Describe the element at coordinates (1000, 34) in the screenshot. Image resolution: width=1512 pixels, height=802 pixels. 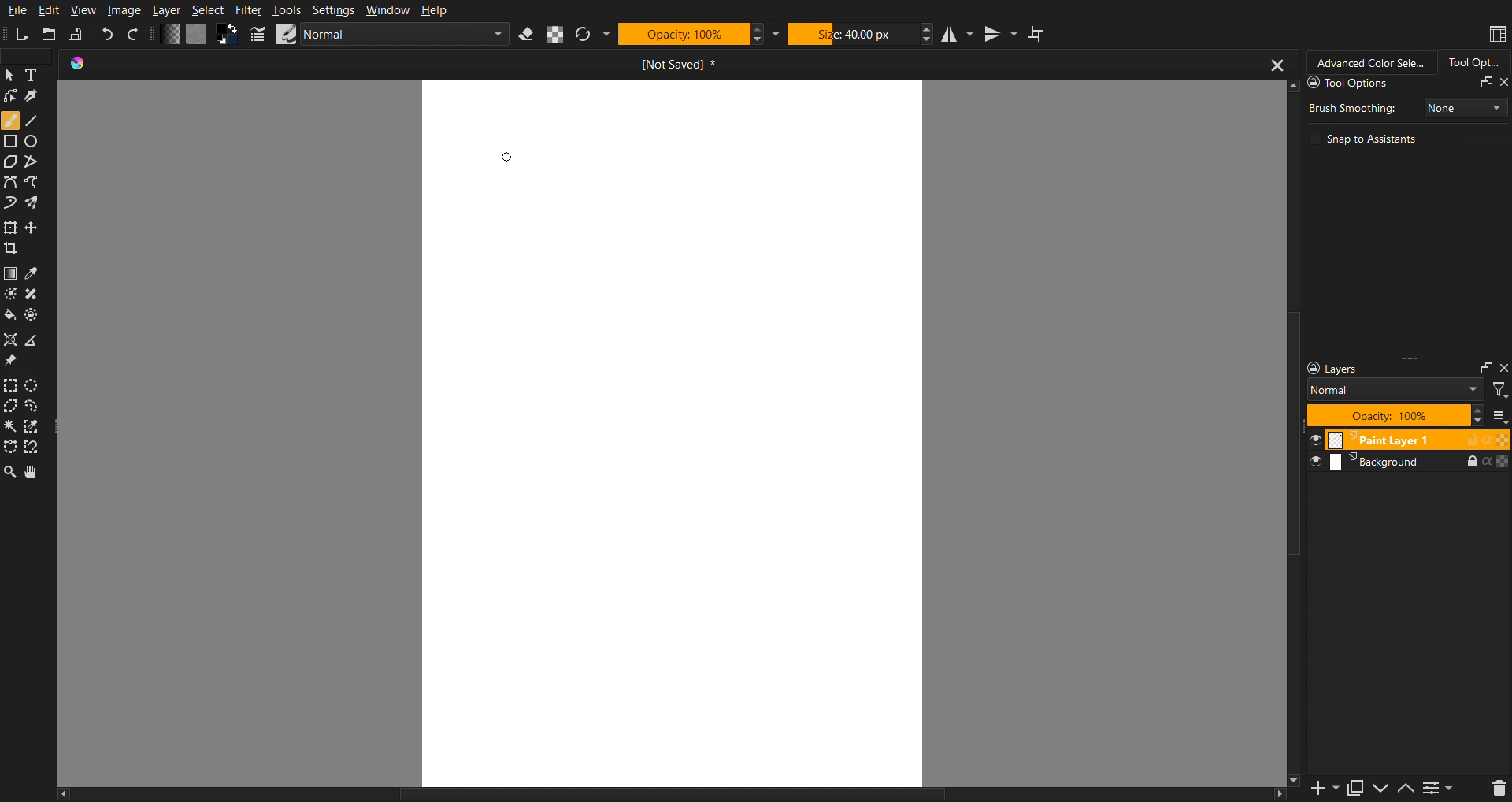
I see `Vertical Mirror` at that location.